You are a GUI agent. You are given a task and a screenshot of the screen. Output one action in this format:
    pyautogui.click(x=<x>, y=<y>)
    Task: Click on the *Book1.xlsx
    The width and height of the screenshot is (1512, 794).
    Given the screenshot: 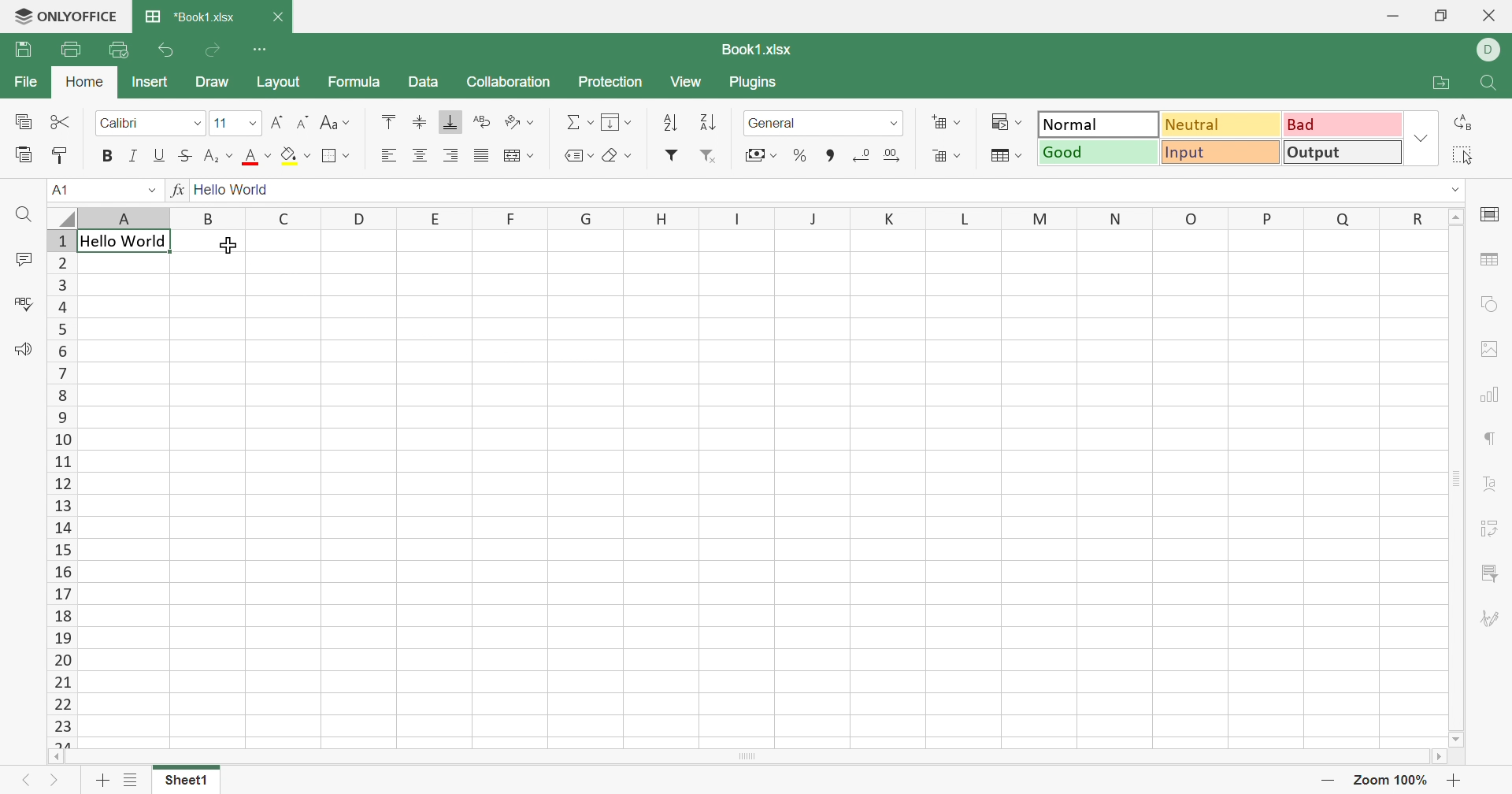 What is the action you would take?
    pyautogui.click(x=191, y=17)
    